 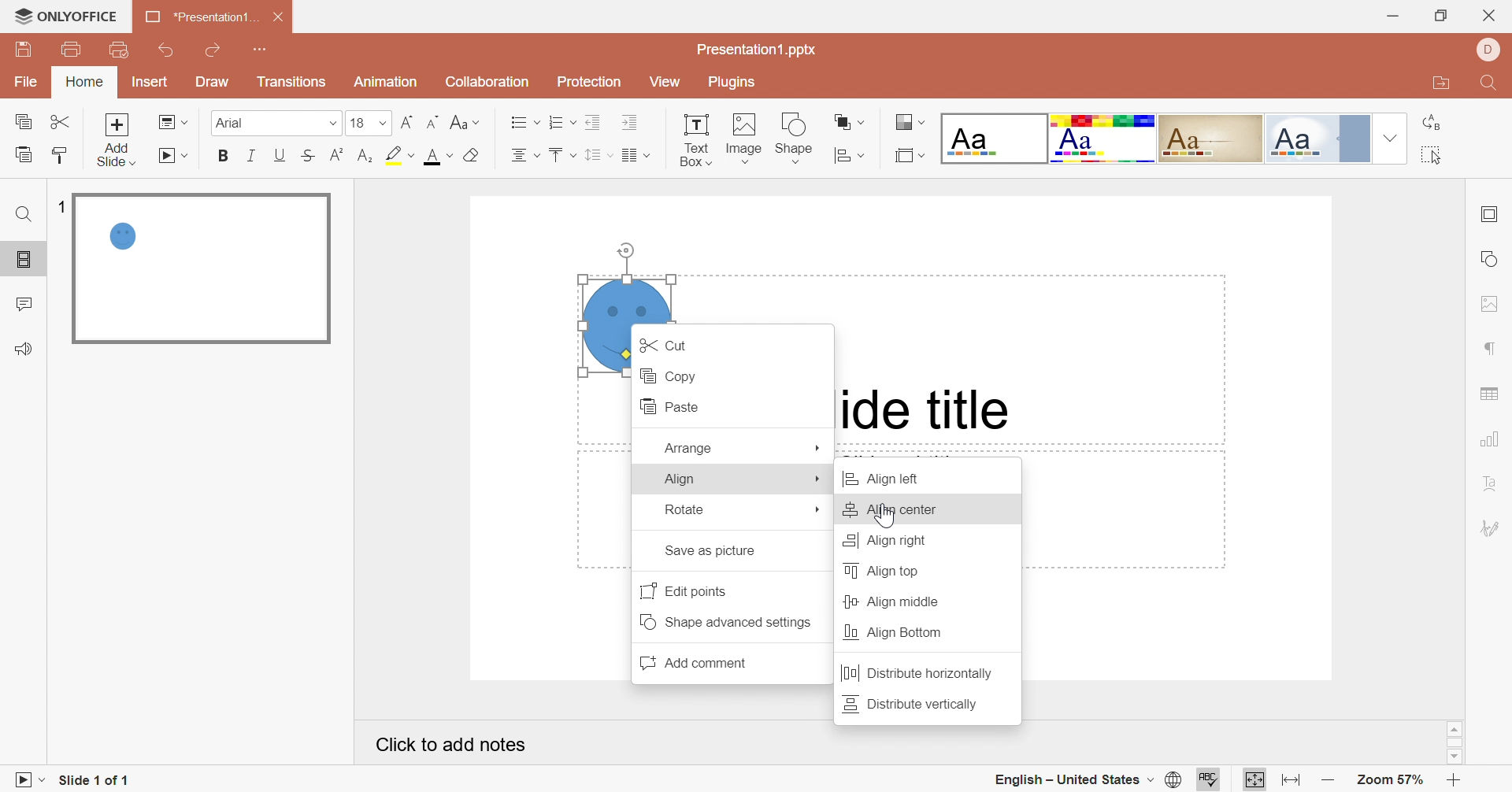 I want to click on Align Top, so click(x=563, y=155).